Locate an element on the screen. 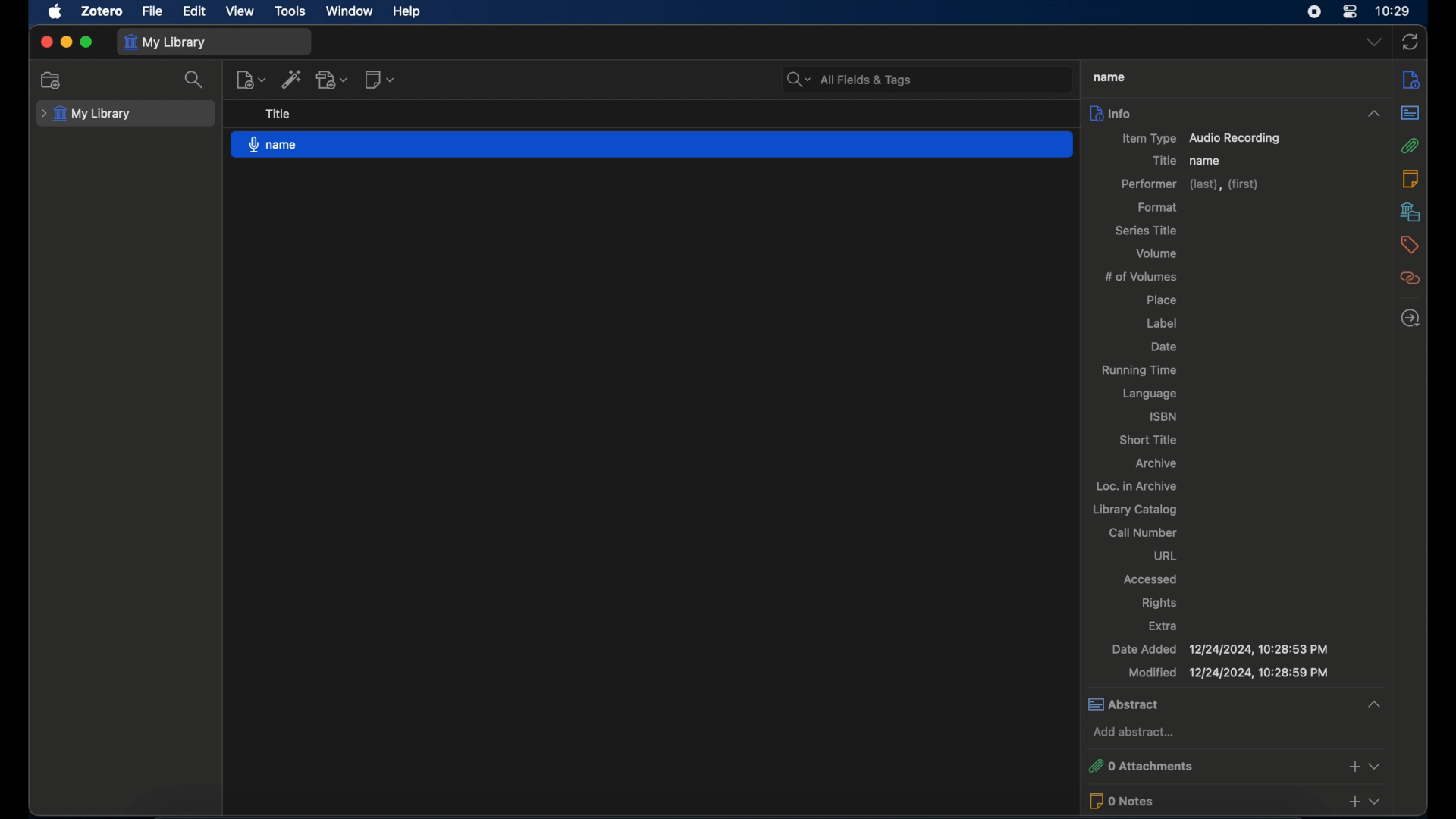 This screenshot has height=819, width=1456. edit is located at coordinates (195, 12).